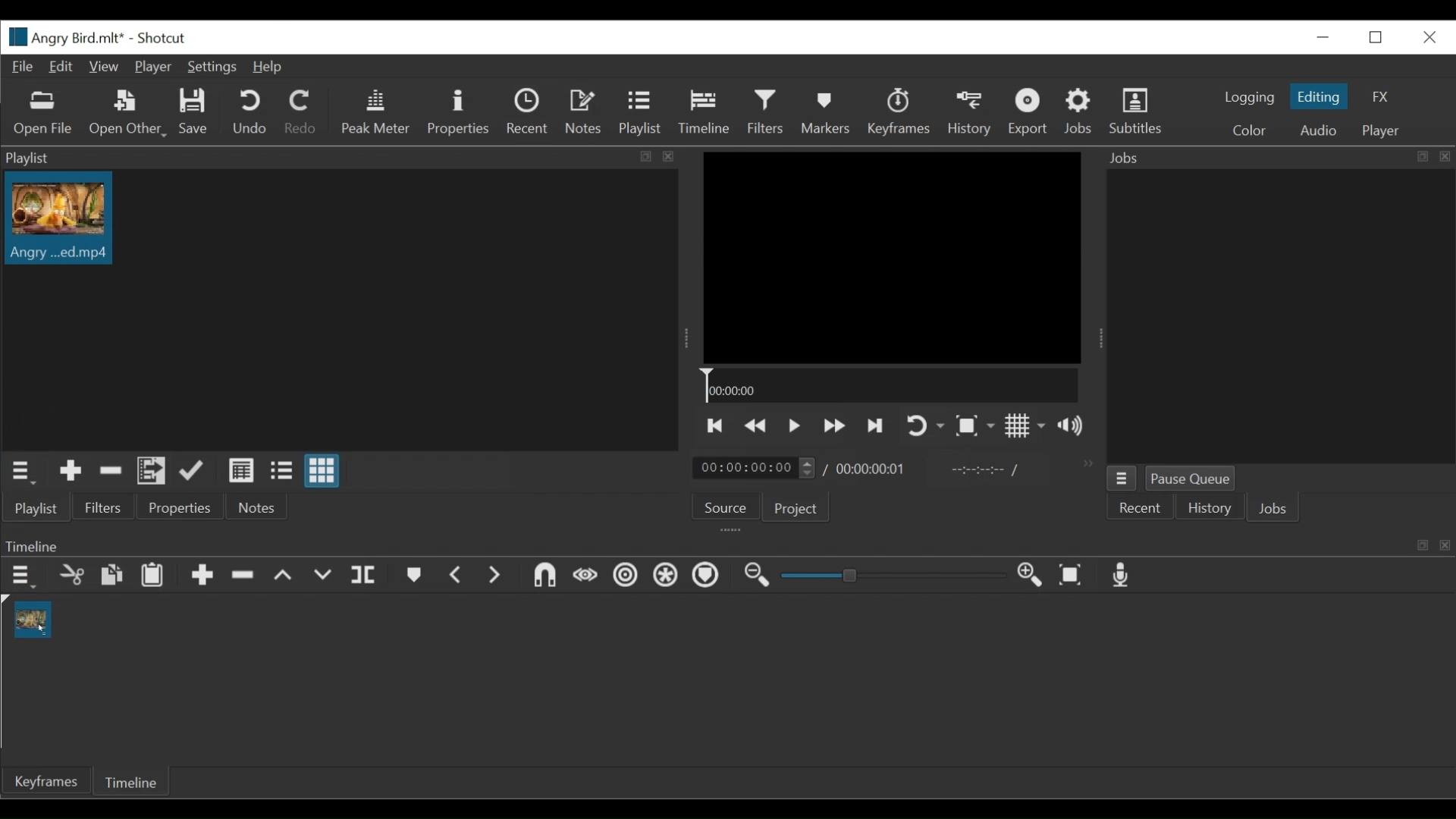 The width and height of the screenshot is (1456, 819). I want to click on Cursor, so click(713, 117).